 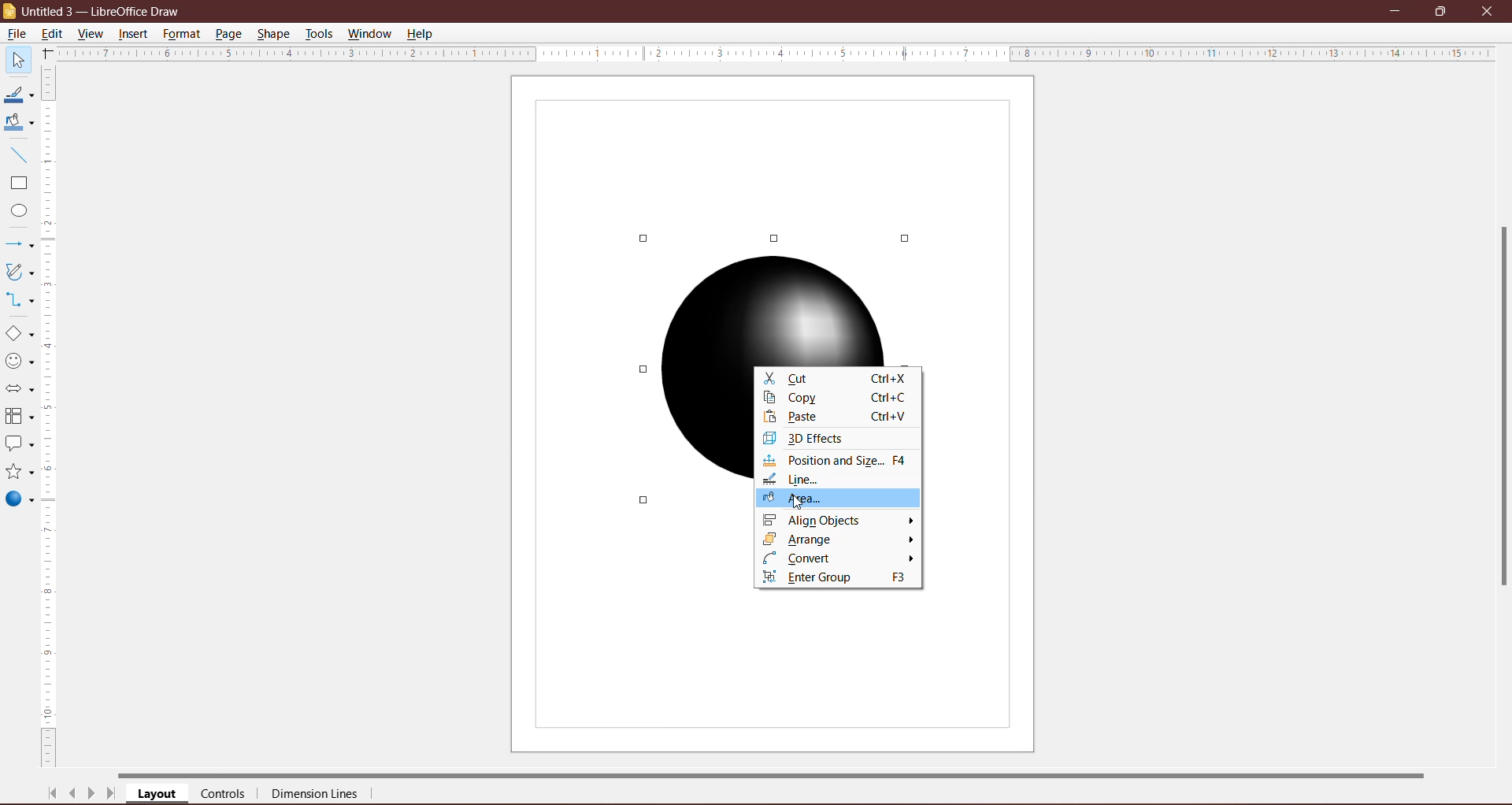 What do you see at coordinates (17, 95) in the screenshot?
I see `Line Color` at bounding box center [17, 95].